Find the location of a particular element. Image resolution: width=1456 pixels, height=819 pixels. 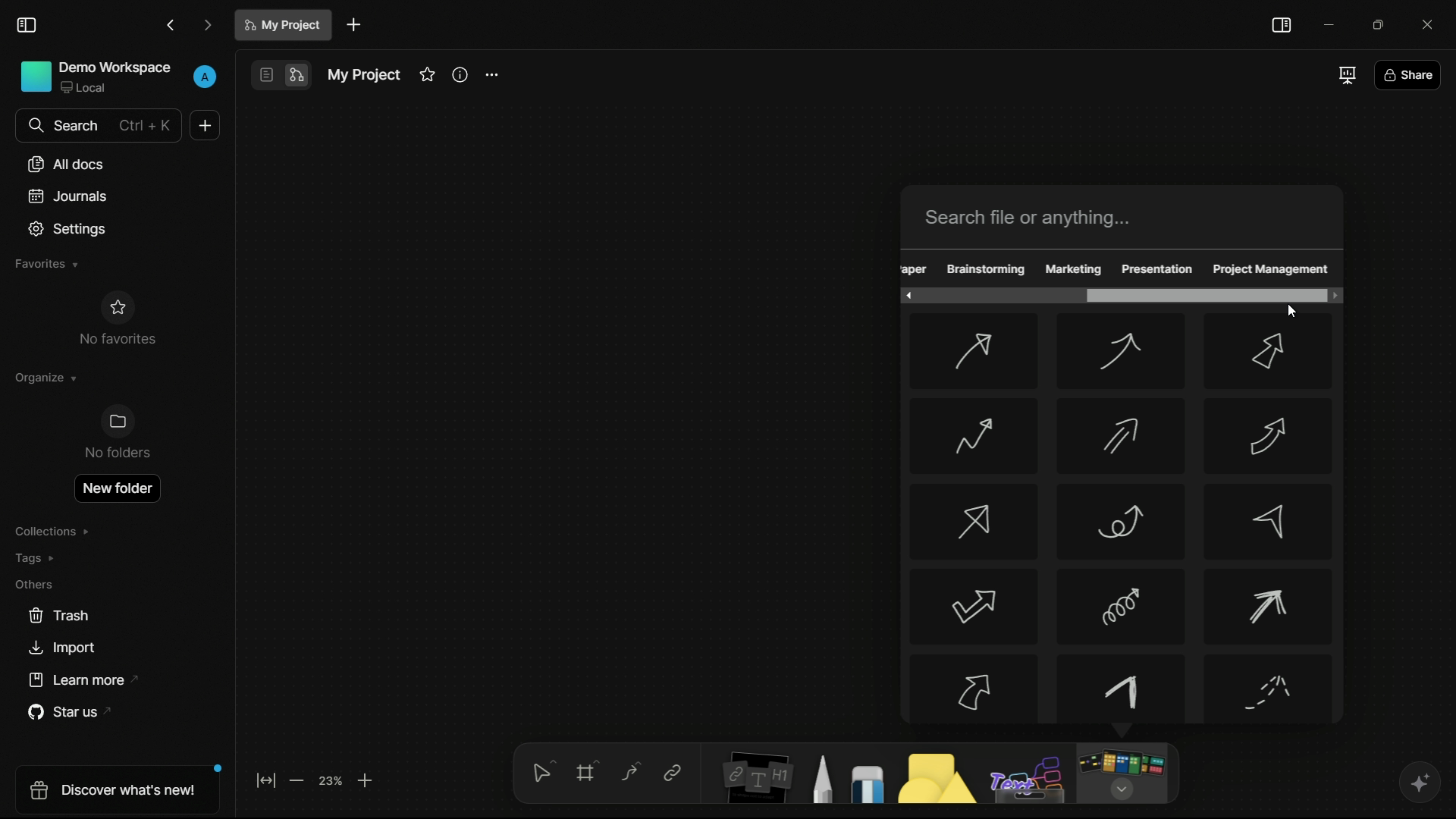

cursor is located at coordinates (1292, 312).